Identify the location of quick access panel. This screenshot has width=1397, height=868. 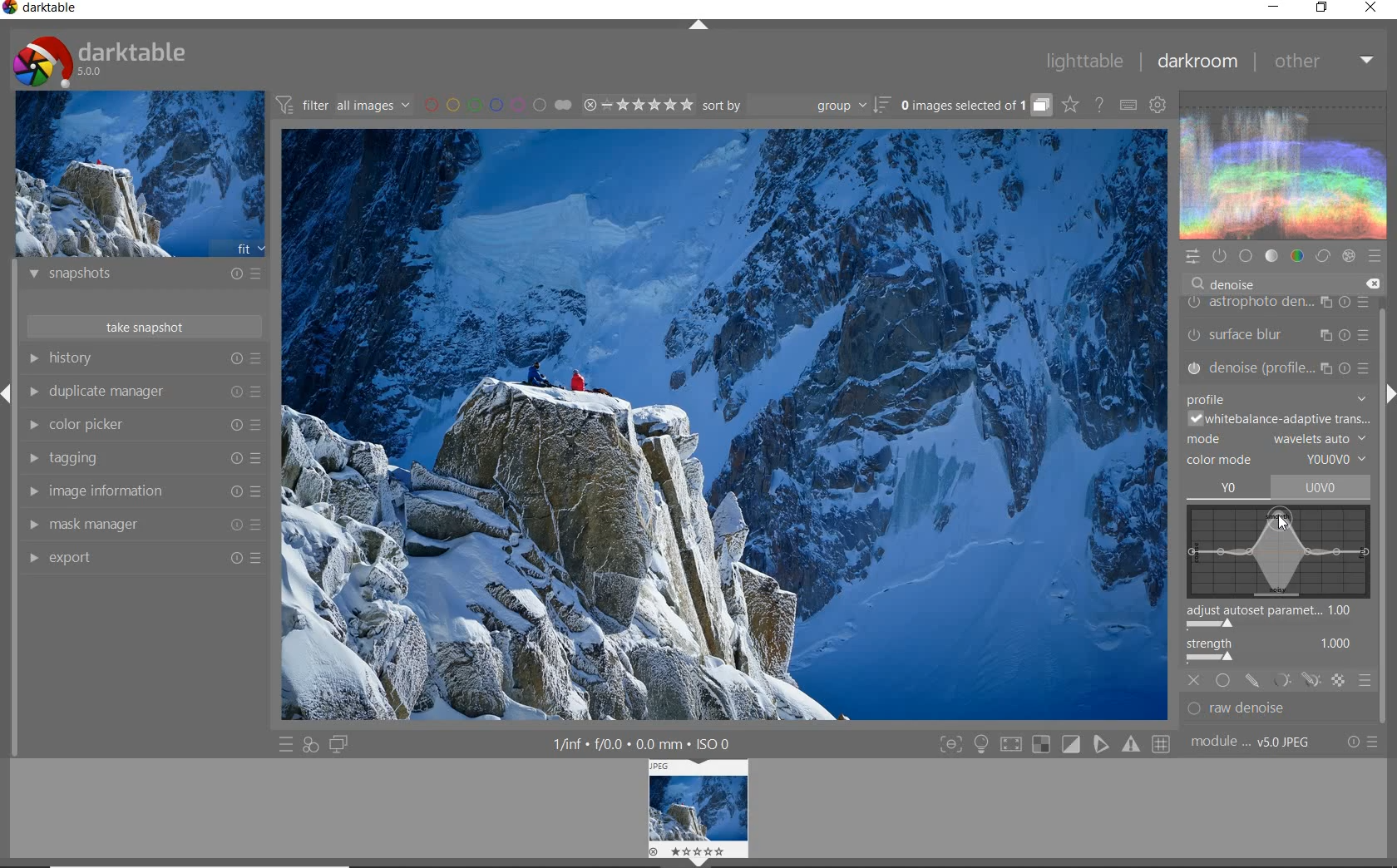
(1191, 257).